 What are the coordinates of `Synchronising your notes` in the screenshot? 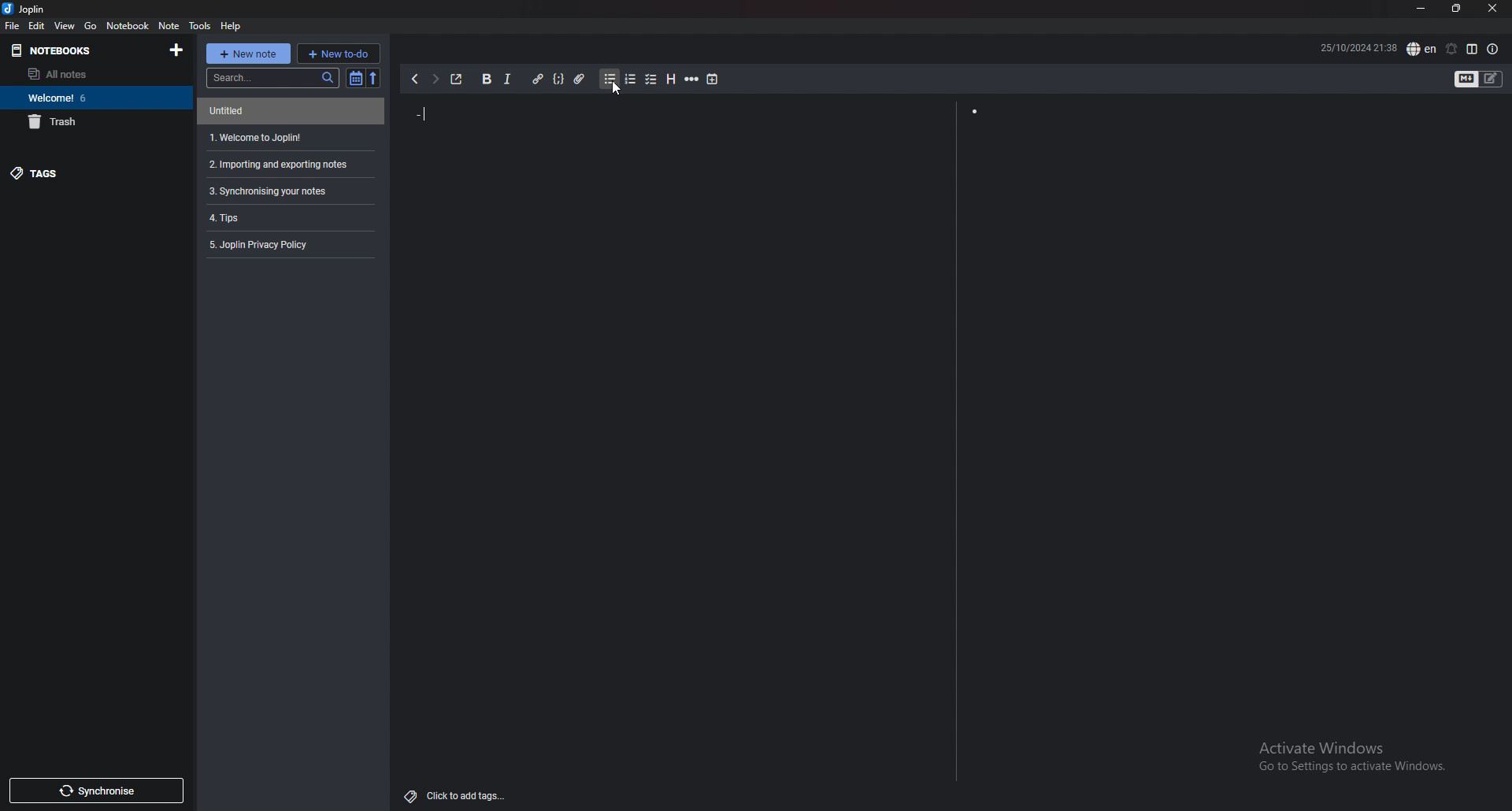 It's located at (271, 193).